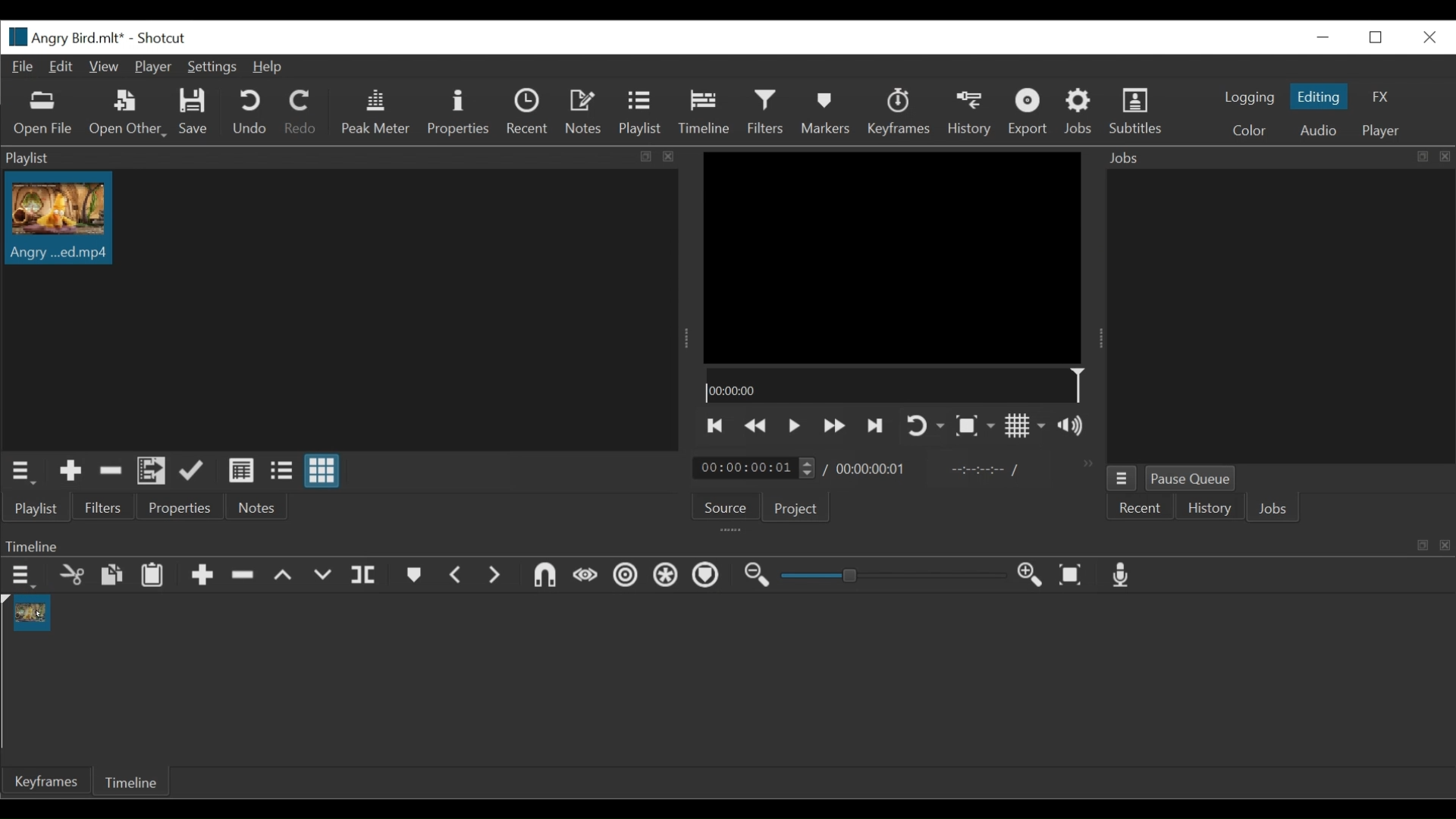  I want to click on Cut, so click(71, 576).